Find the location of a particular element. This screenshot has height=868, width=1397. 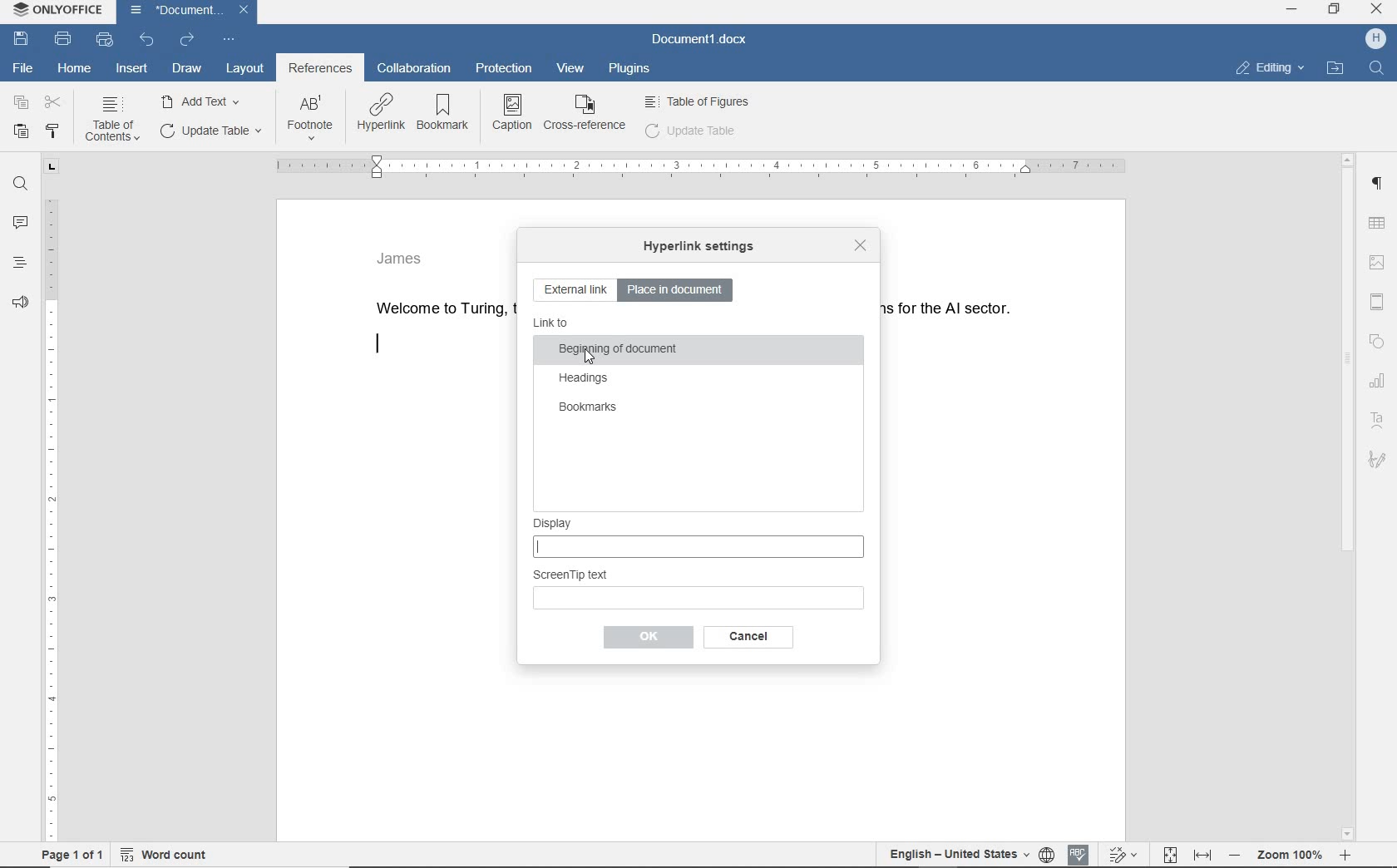

Screen Tip Text is located at coordinates (699, 589).